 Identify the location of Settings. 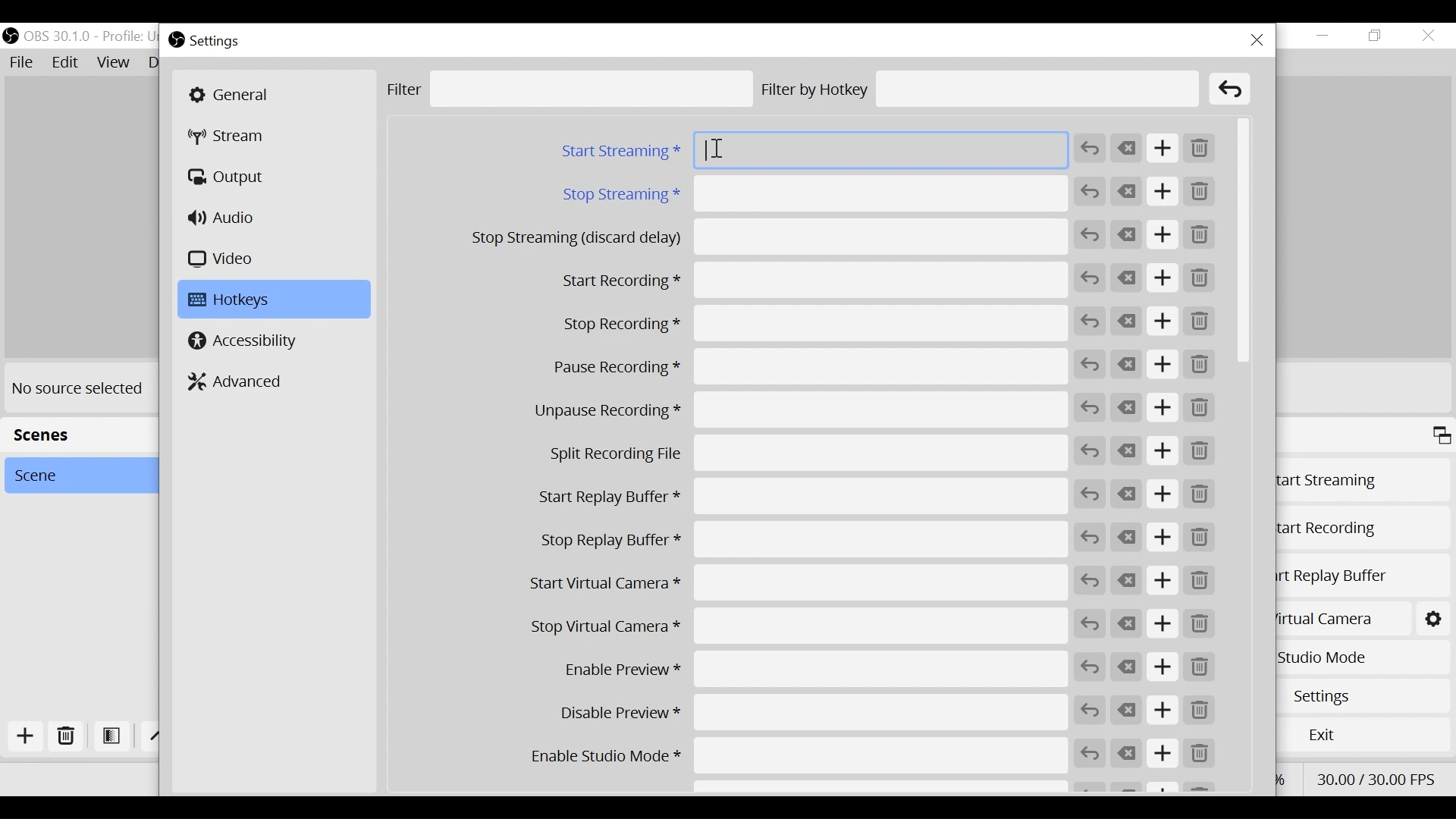
(220, 39).